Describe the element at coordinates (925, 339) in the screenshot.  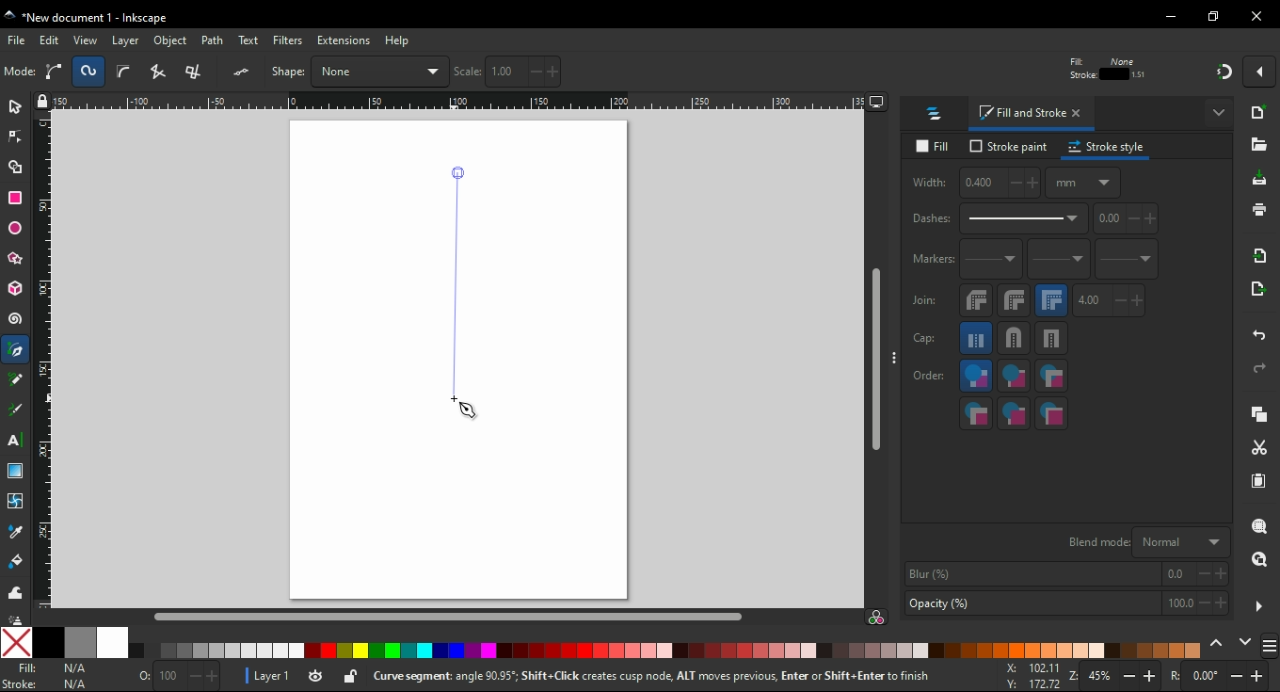
I see `cap` at that location.